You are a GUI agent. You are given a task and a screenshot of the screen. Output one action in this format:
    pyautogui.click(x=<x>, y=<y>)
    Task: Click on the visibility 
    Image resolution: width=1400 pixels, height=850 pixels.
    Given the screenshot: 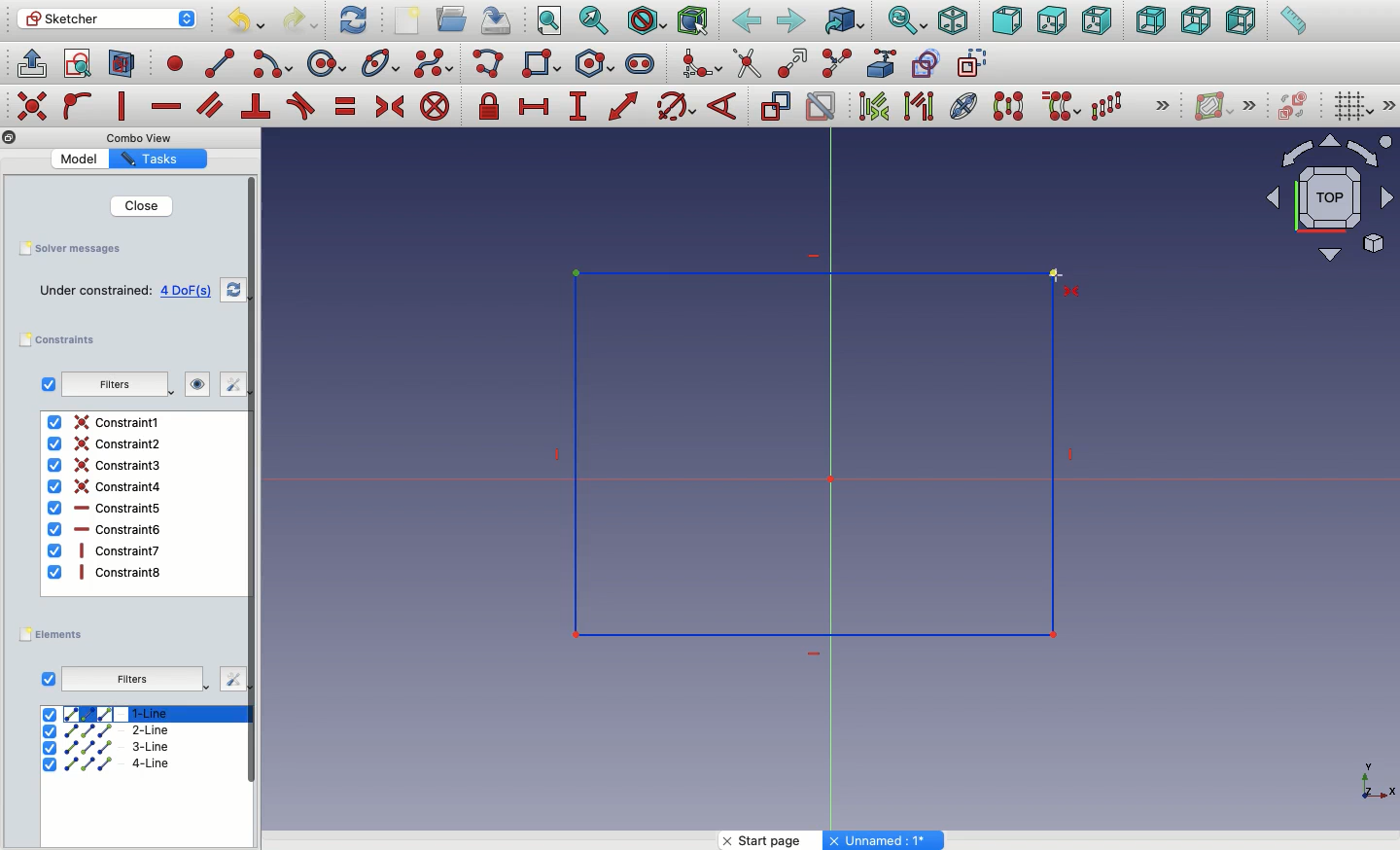 What is the action you would take?
    pyautogui.click(x=193, y=384)
    